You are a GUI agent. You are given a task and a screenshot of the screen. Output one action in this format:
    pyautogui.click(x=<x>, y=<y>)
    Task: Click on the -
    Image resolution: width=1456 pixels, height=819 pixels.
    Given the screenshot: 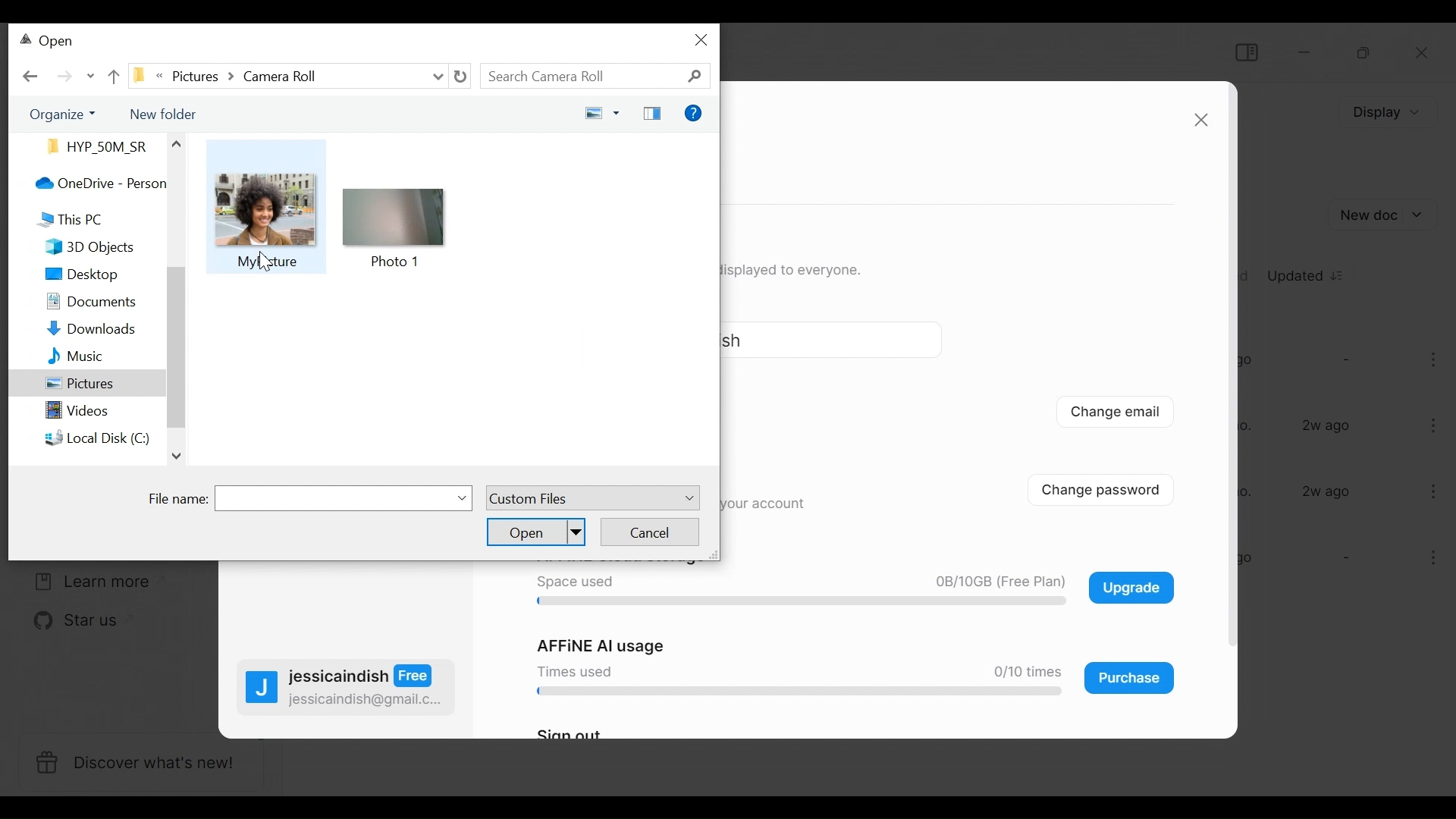 What is the action you would take?
    pyautogui.click(x=1345, y=359)
    